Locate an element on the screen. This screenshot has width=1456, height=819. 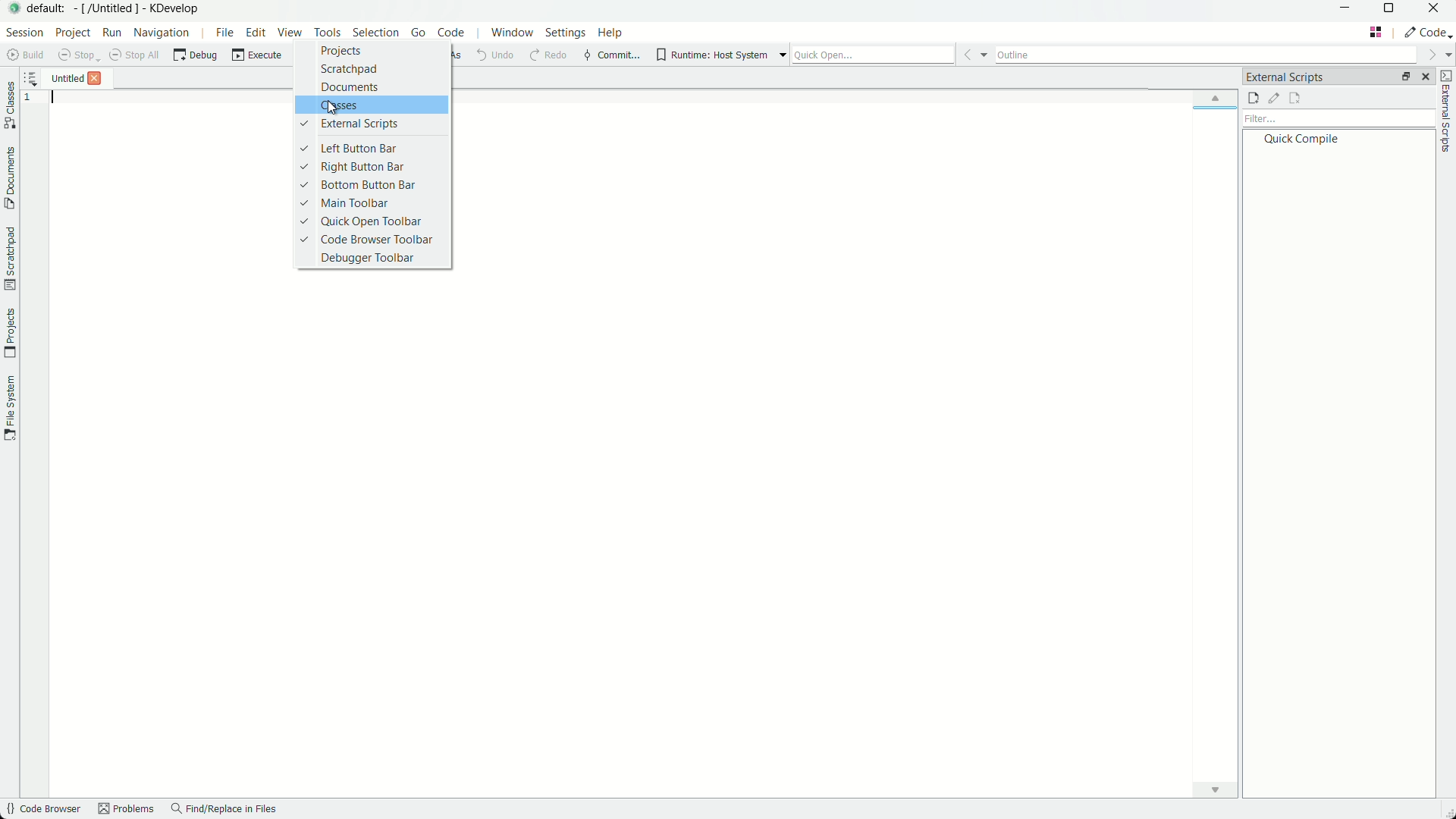
execute is located at coordinates (254, 58).